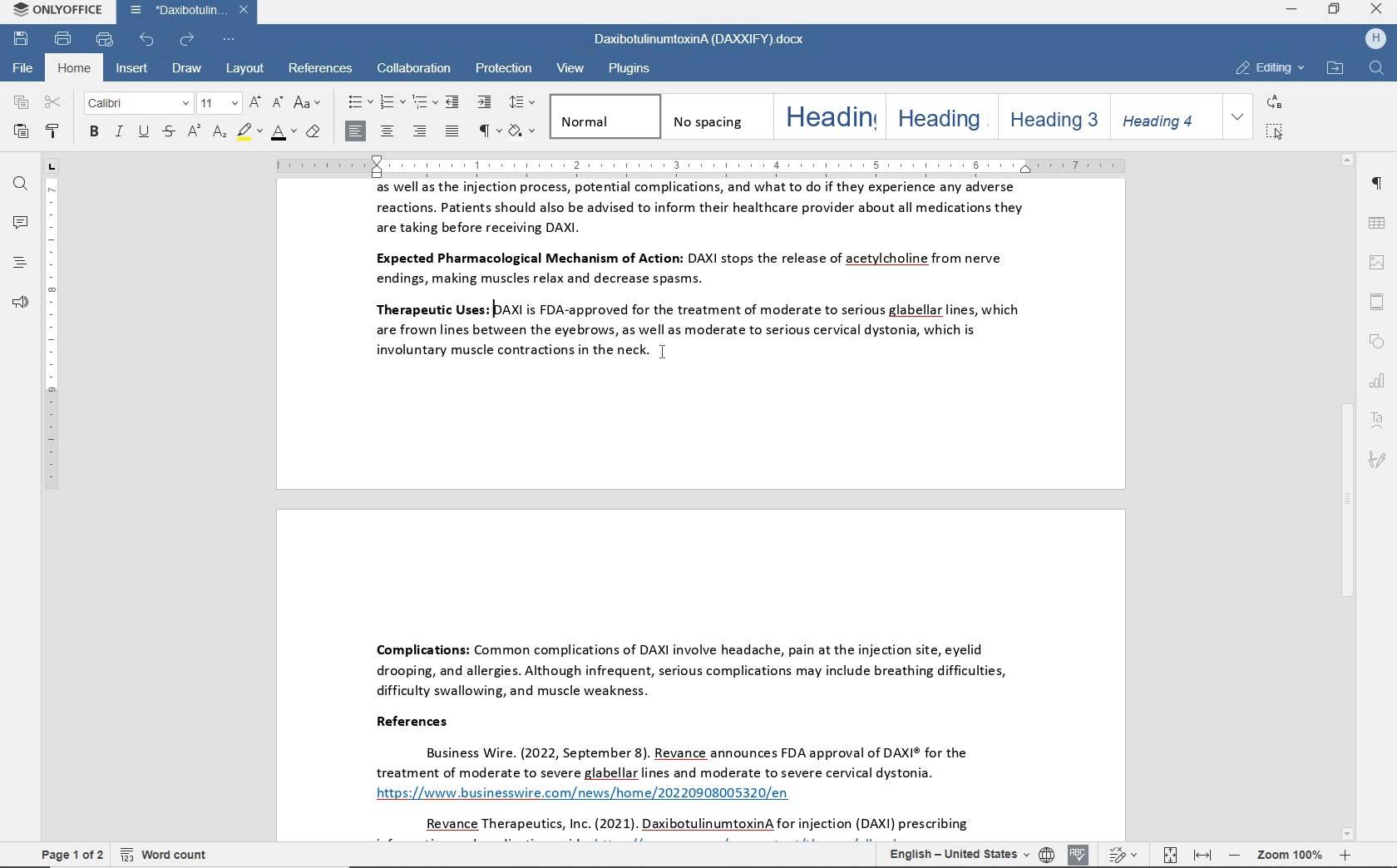 This screenshot has height=868, width=1397. What do you see at coordinates (17, 303) in the screenshot?
I see `feedback & support` at bounding box center [17, 303].